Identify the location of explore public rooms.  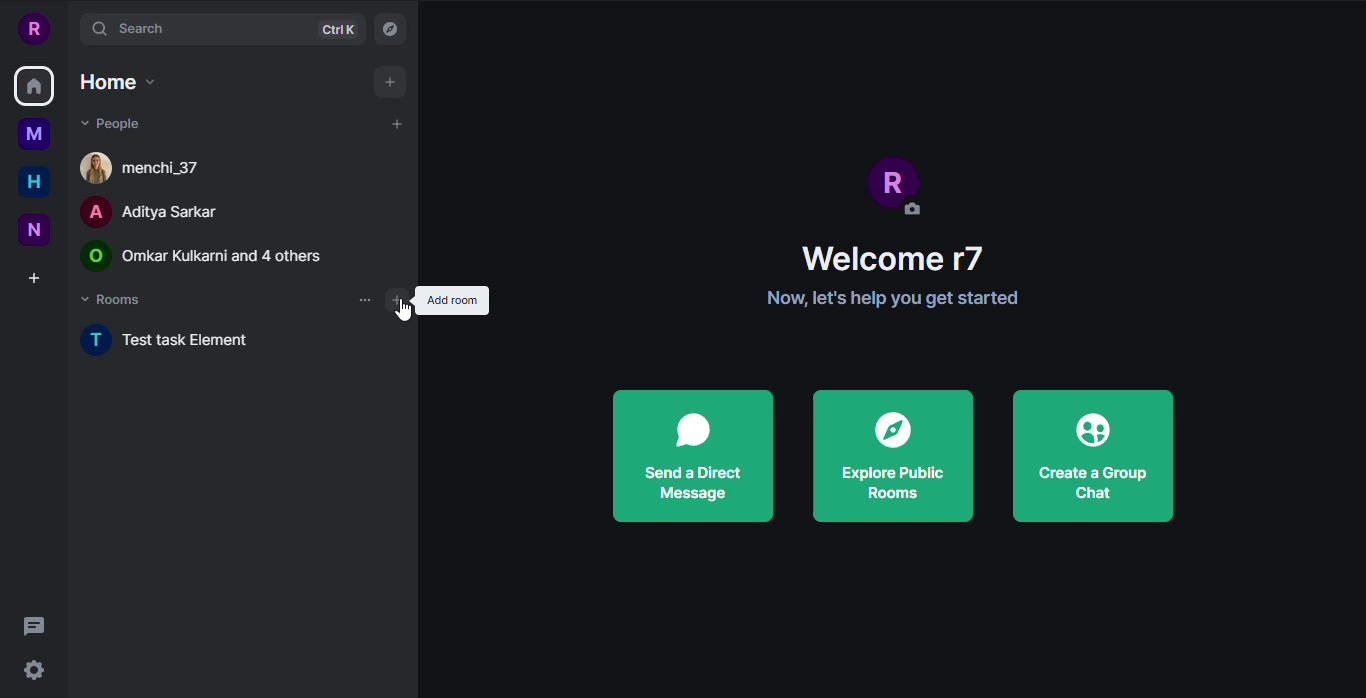
(890, 455).